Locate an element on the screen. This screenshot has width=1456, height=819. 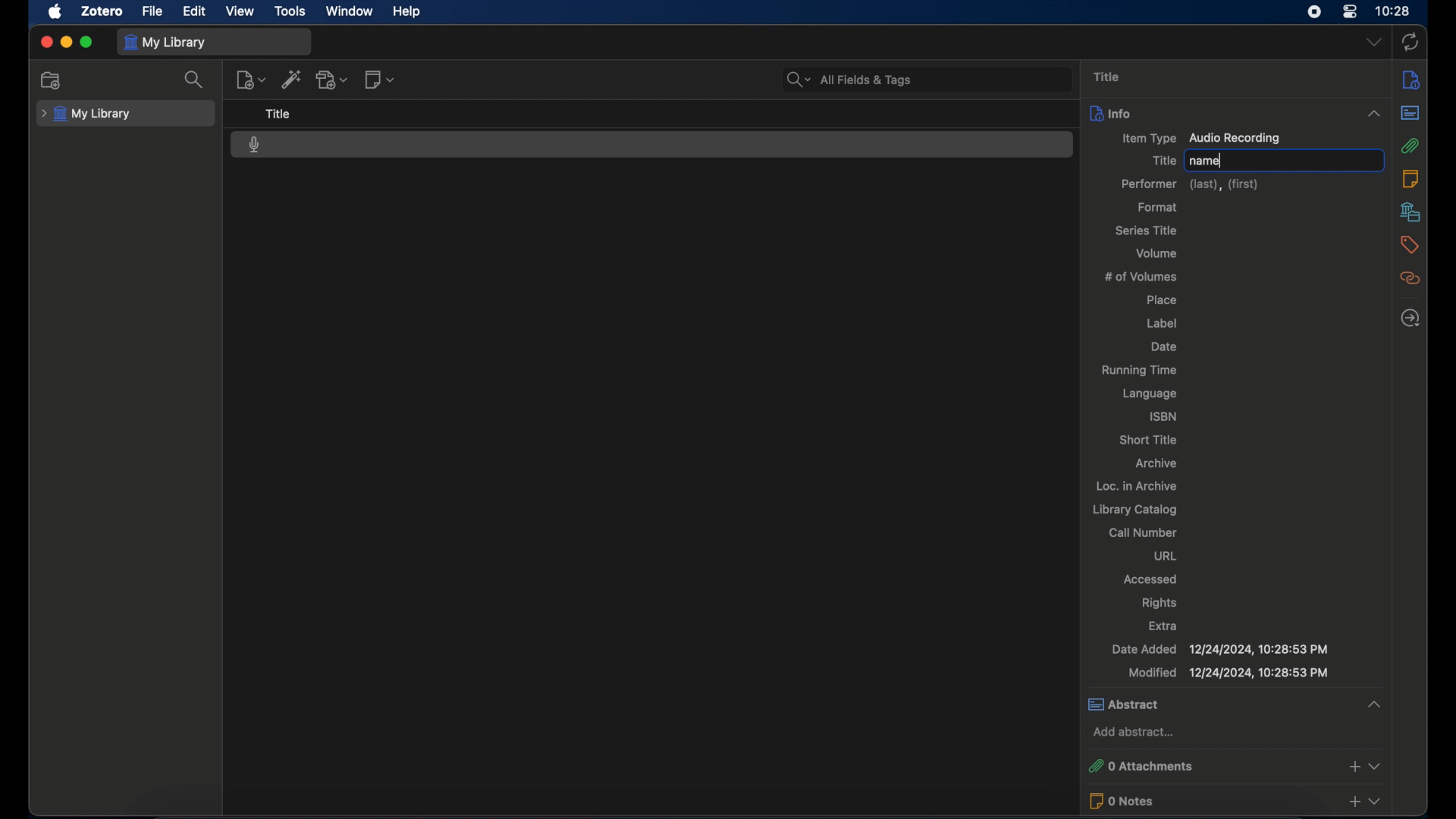
rights is located at coordinates (1159, 602).